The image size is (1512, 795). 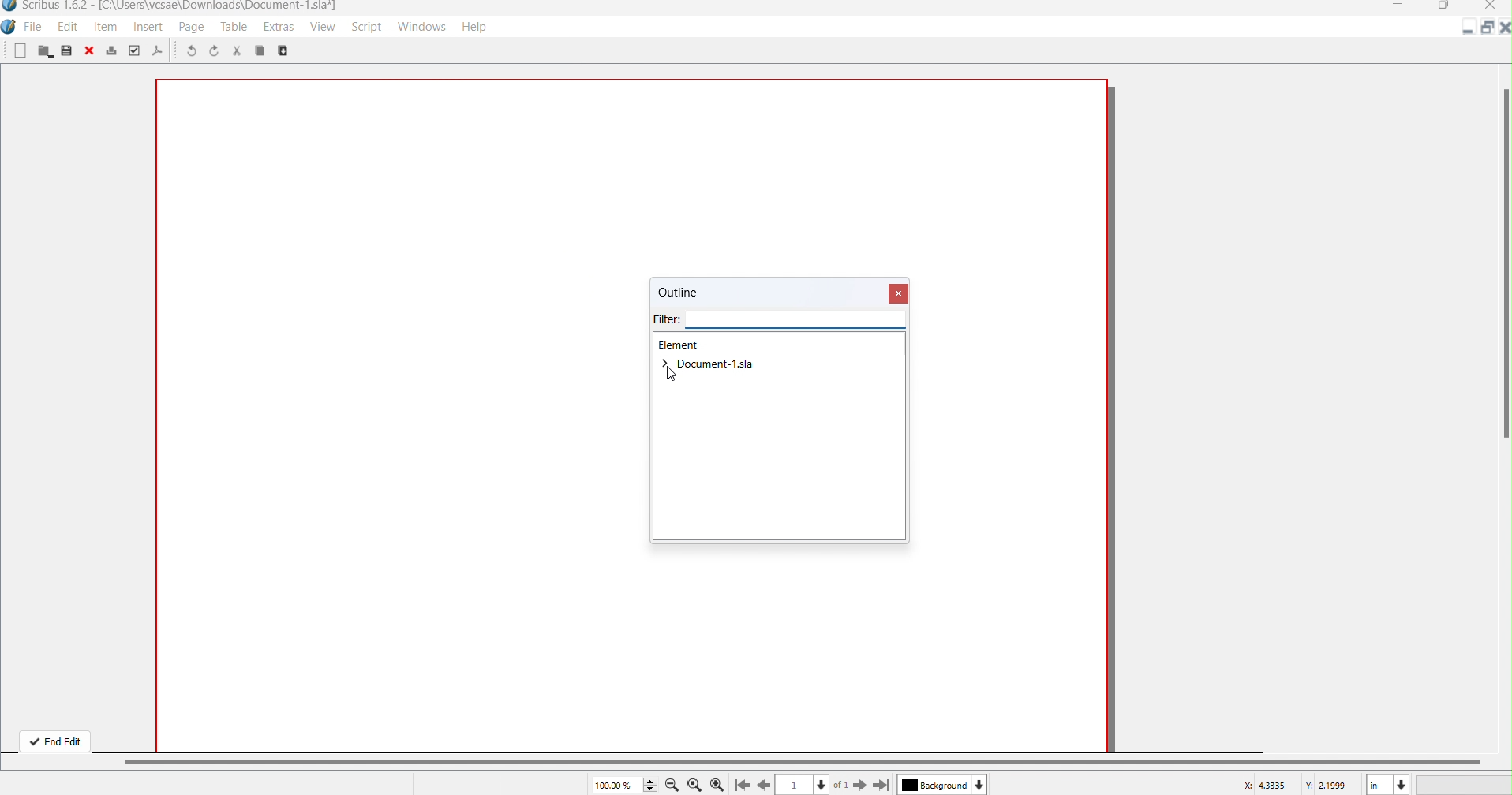 What do you see at coordinates (781, 322) in the screenshot?
I see `Filter` at bounding box center [781, 322].